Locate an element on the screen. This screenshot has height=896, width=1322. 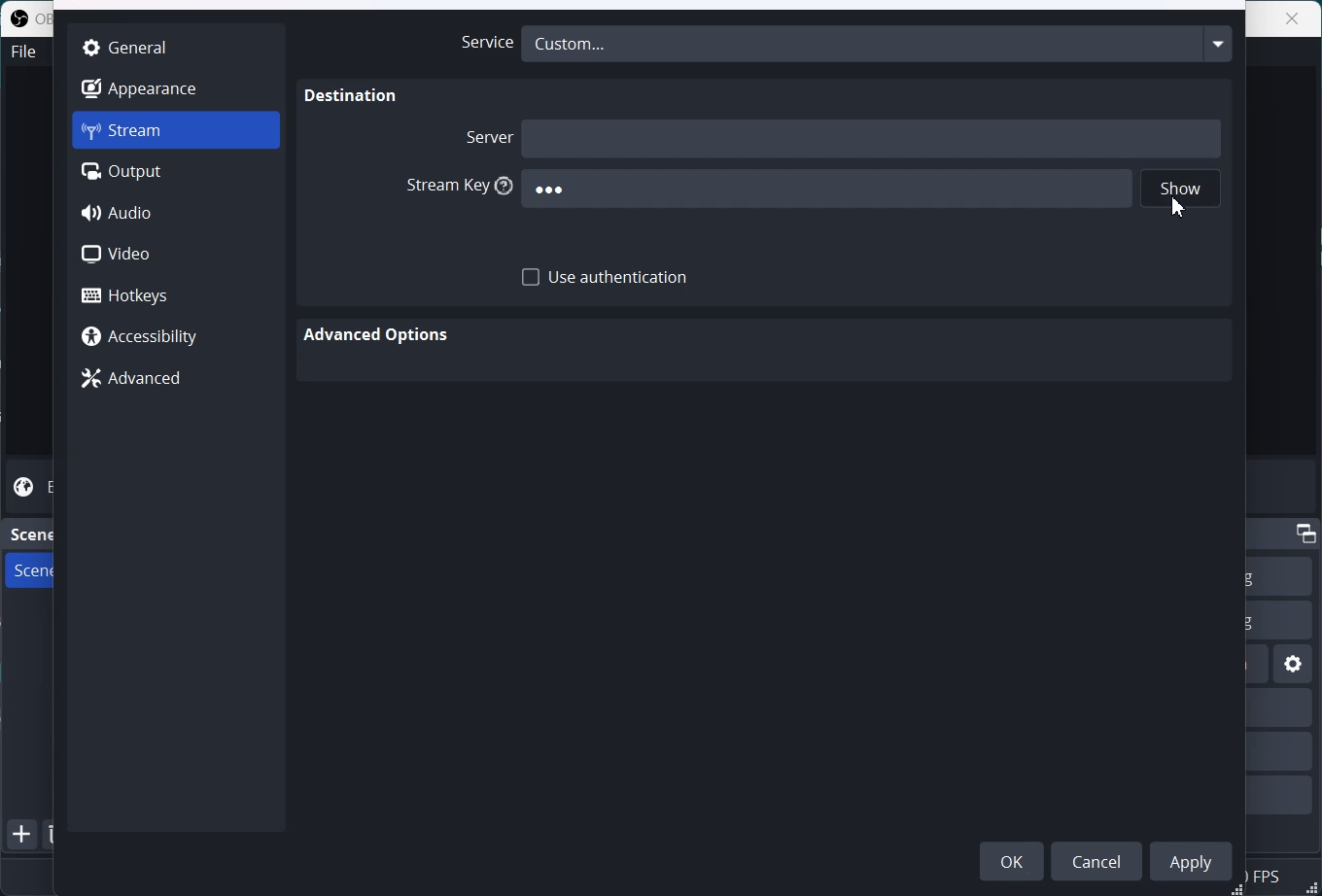
Appearance is located at coordinates (175, 87).